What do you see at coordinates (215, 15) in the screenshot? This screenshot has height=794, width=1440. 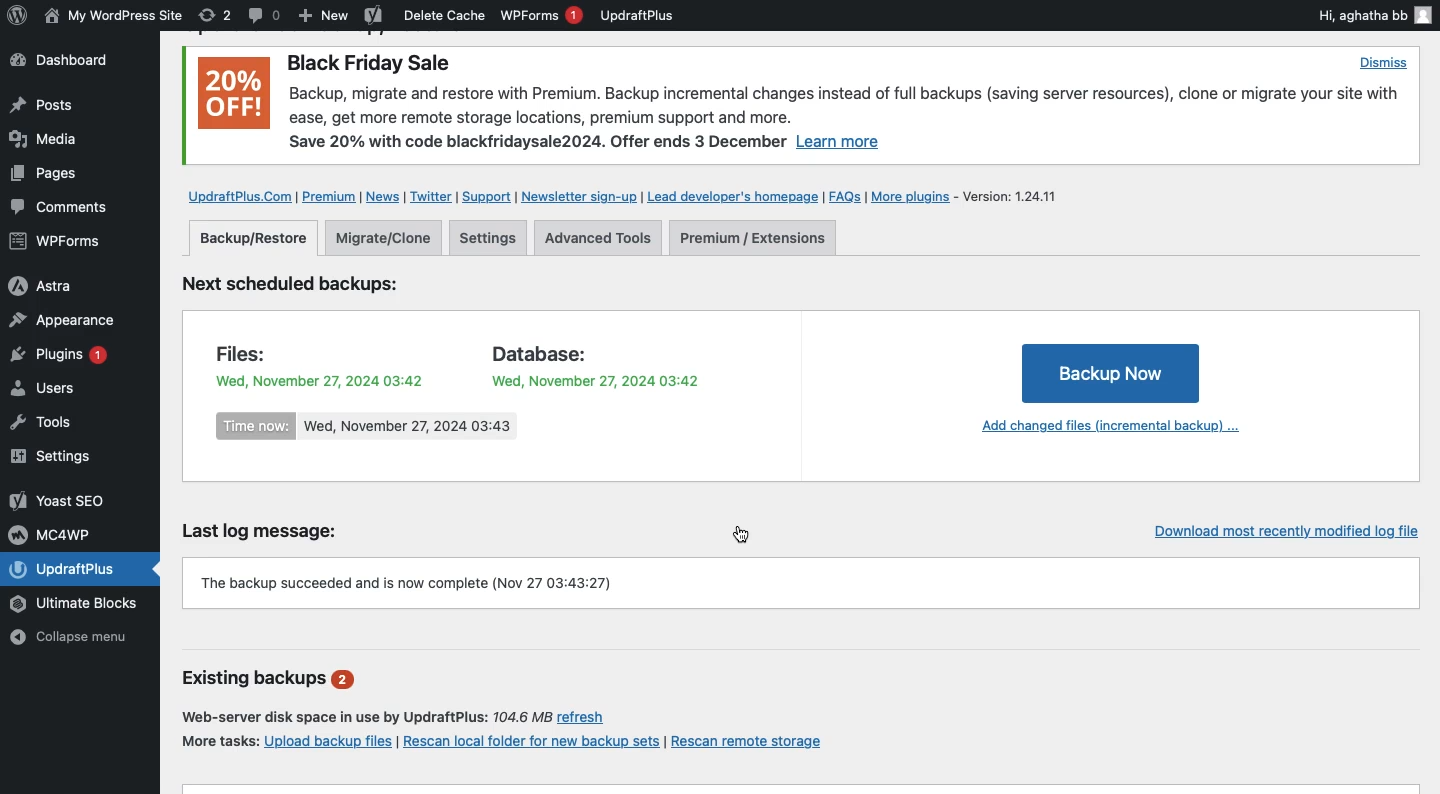 I see `Revision` at bounding box center [215, 15].